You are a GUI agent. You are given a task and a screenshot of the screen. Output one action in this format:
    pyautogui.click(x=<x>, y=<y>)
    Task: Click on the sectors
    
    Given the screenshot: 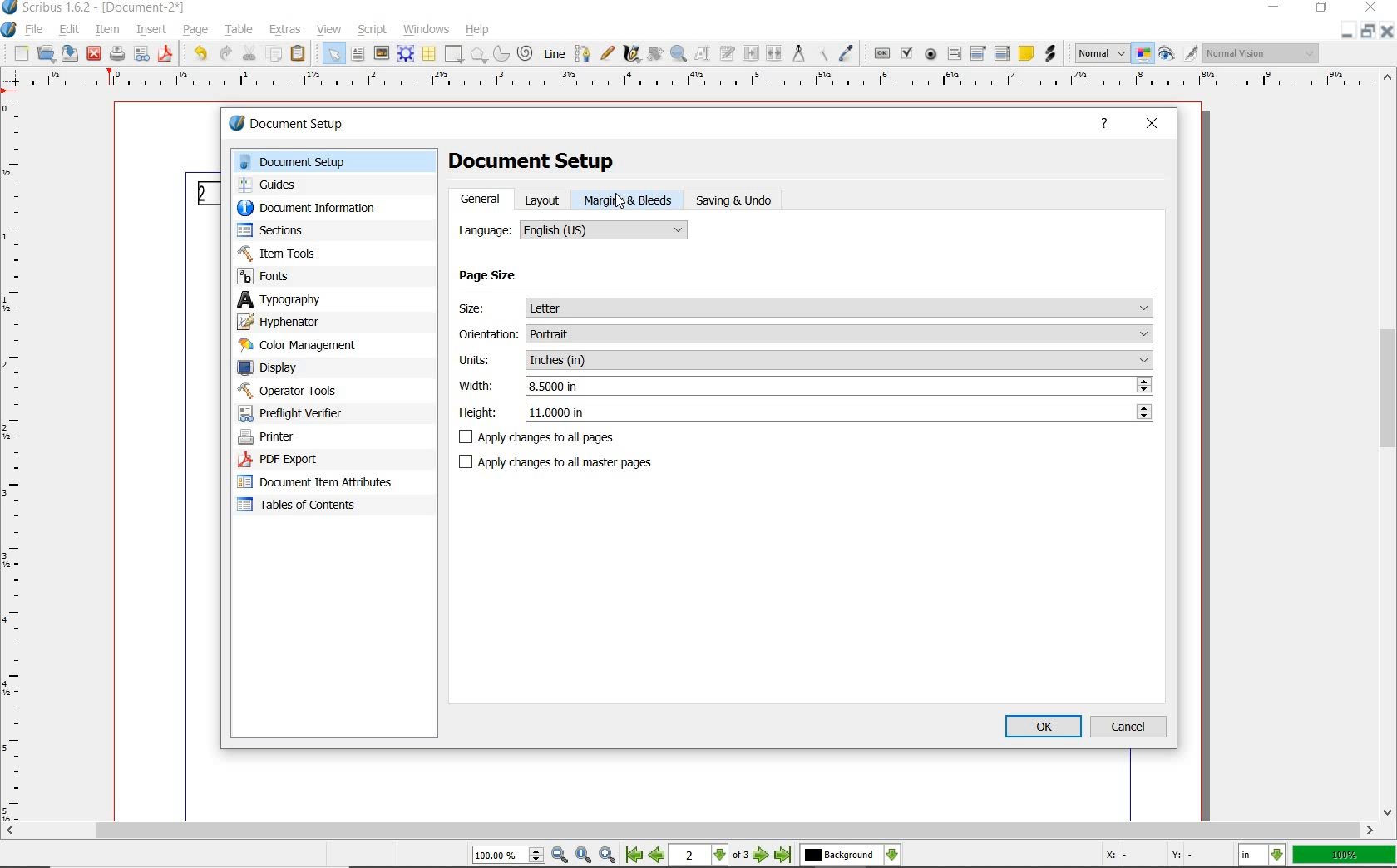 What is the action you would take?
    pyautogui.click(x=275, y=232)
    